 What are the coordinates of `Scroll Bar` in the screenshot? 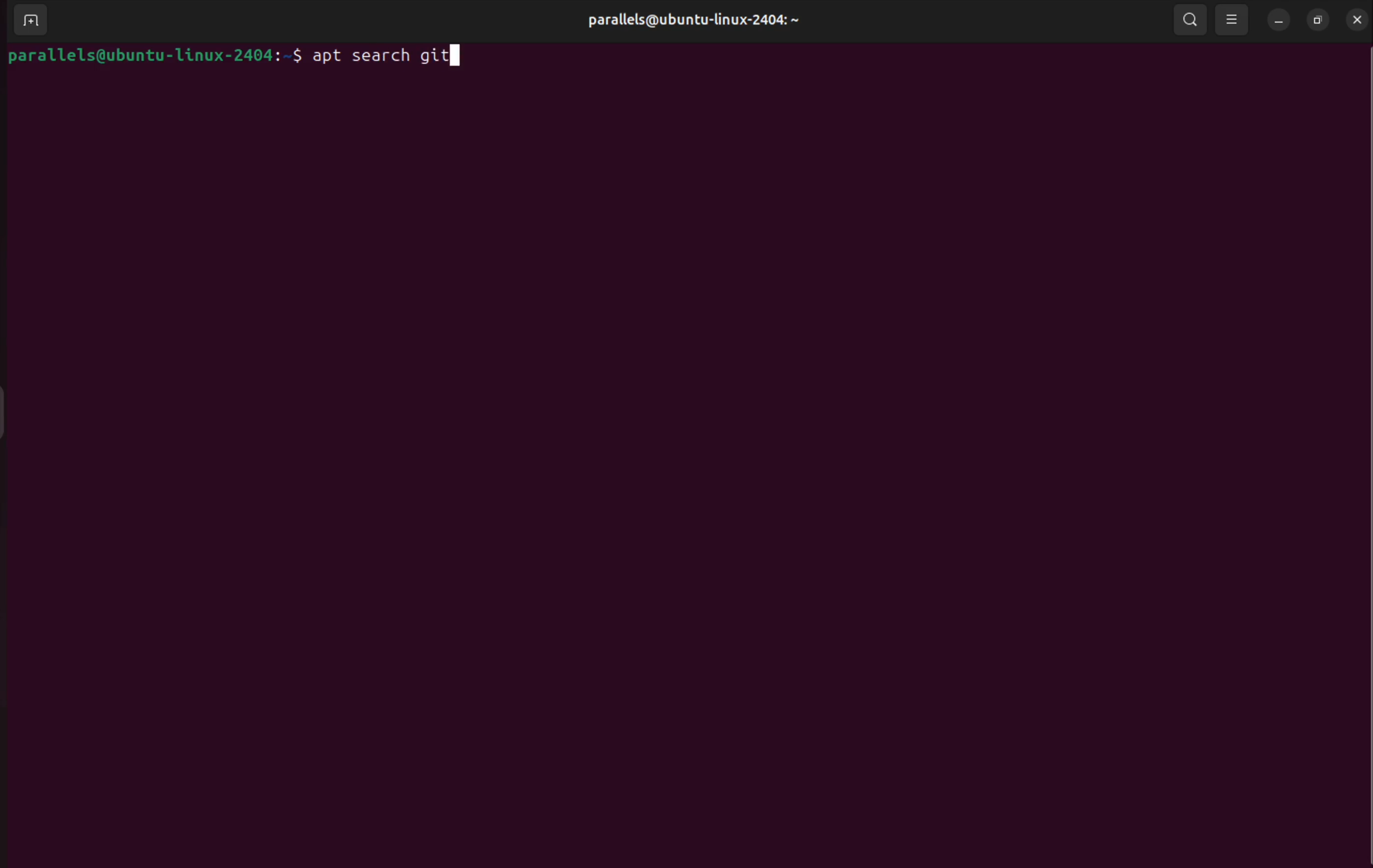 It's located at (1361, 352).